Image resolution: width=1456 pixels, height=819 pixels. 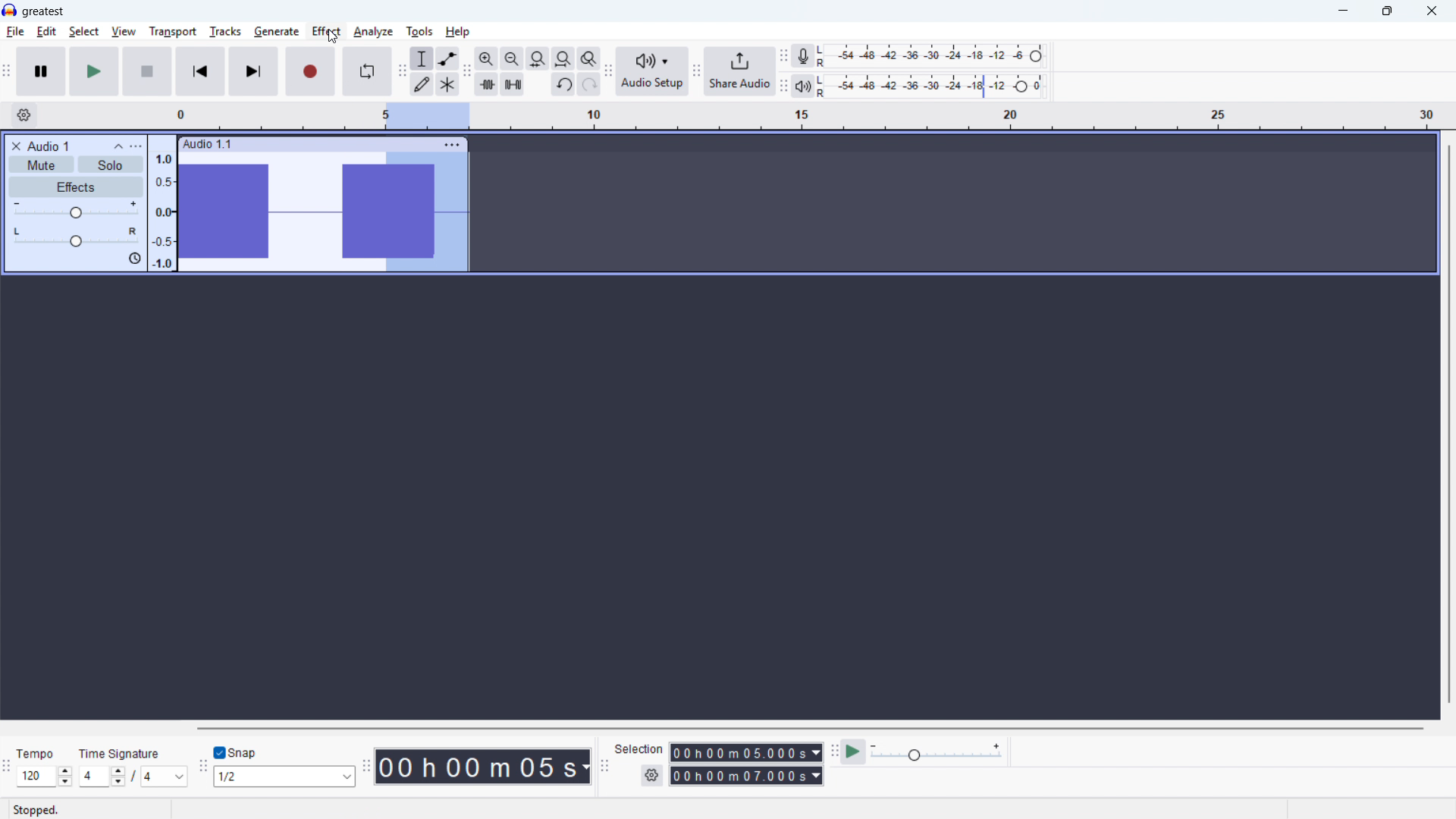 I want to click on Silence audio selection , so click(x=512, y=84).